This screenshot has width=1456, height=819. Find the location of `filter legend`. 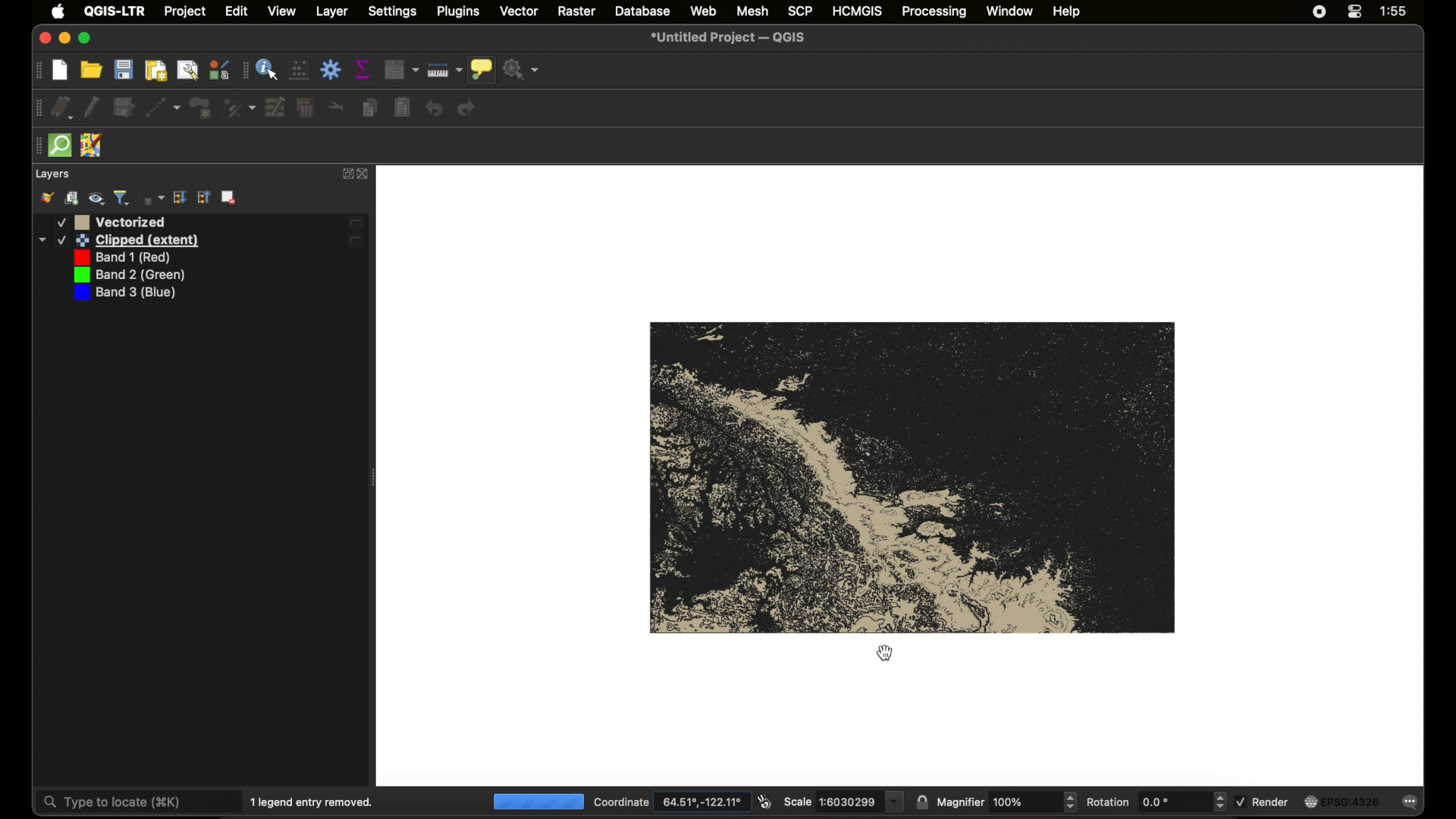

filter legend is located at coordinates (122, 198).